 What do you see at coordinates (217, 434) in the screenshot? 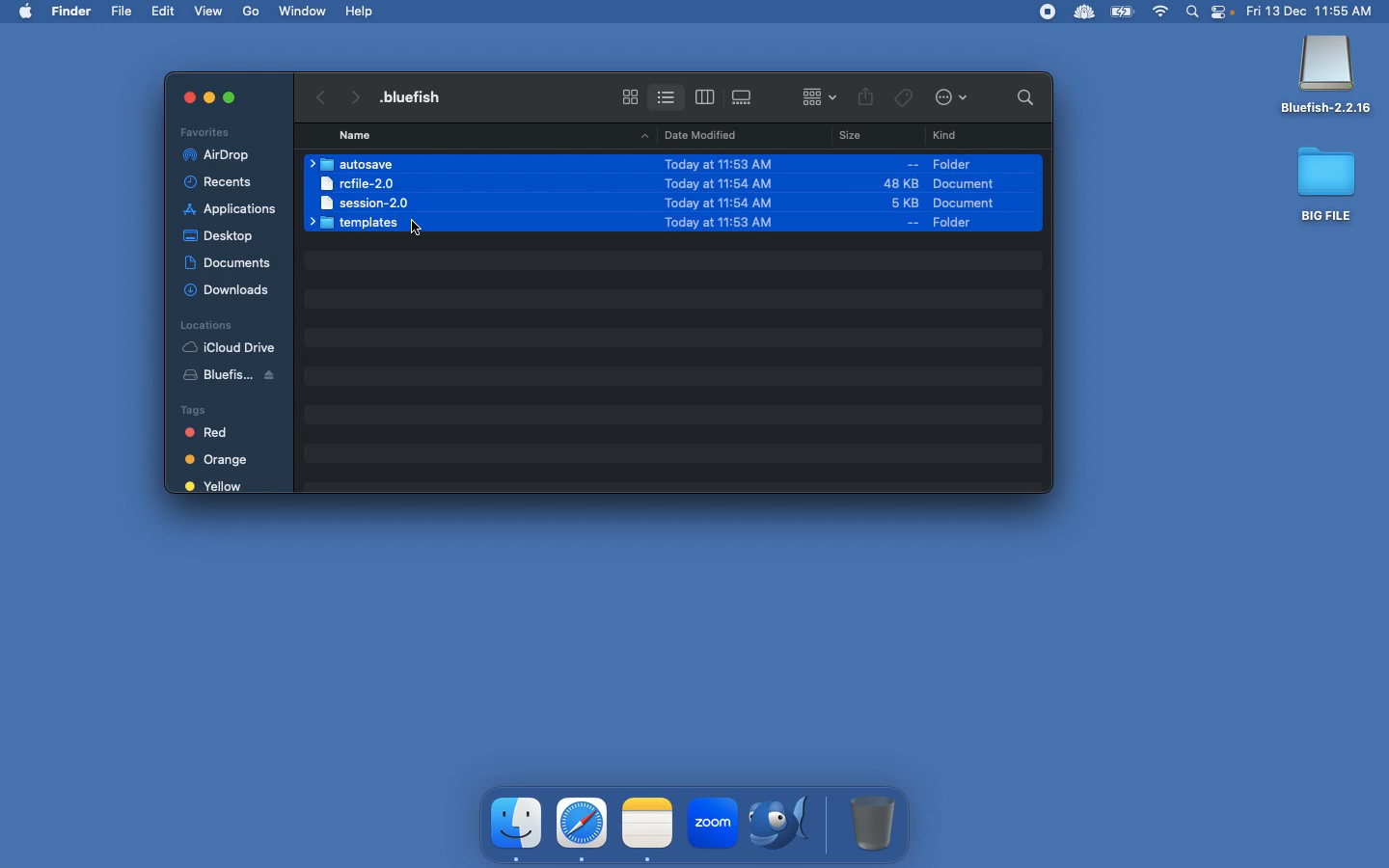
I see `red` at bounding box center [217, 434].